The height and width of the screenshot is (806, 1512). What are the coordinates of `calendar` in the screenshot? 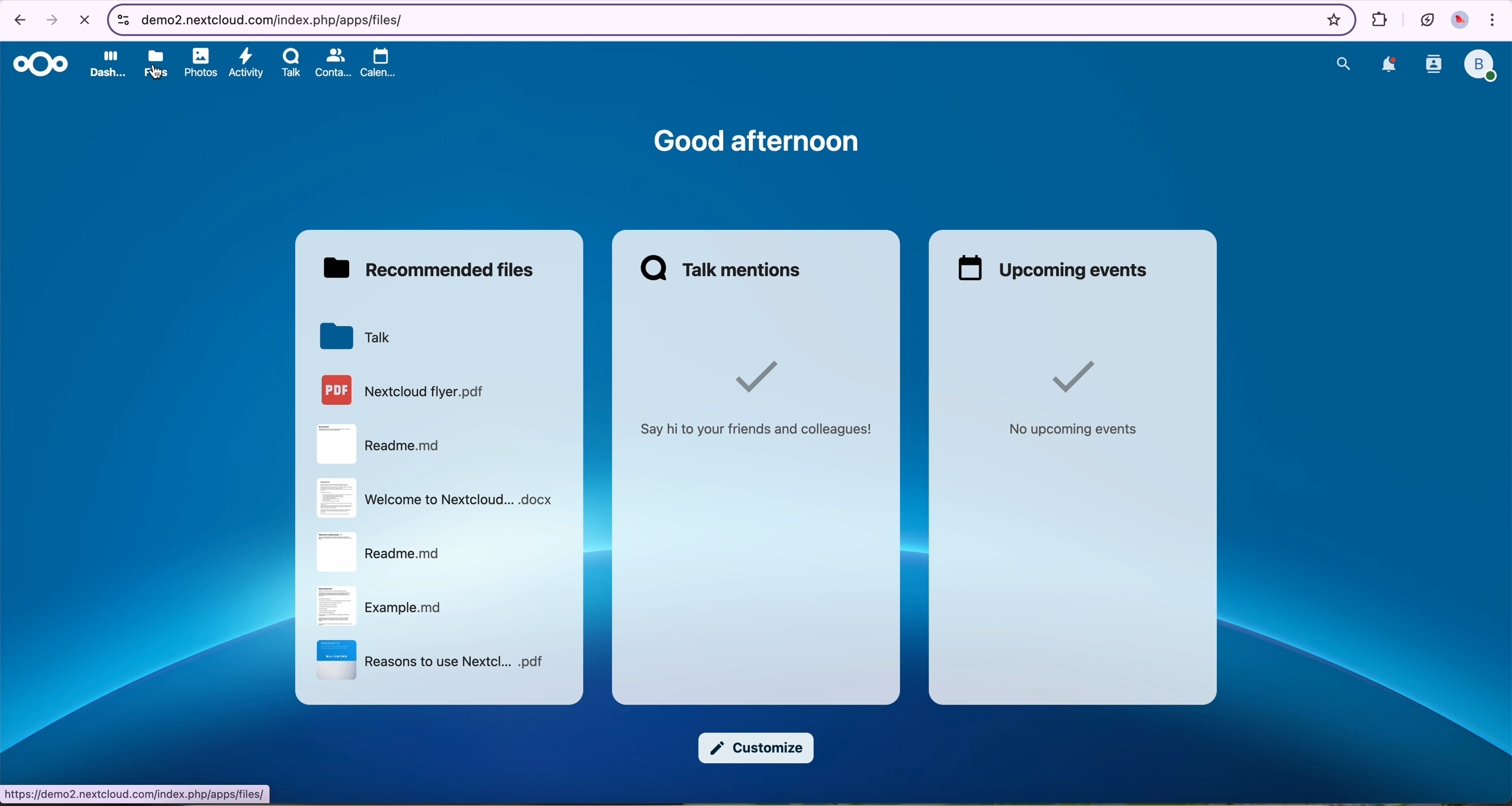 It's located at (374, 61).